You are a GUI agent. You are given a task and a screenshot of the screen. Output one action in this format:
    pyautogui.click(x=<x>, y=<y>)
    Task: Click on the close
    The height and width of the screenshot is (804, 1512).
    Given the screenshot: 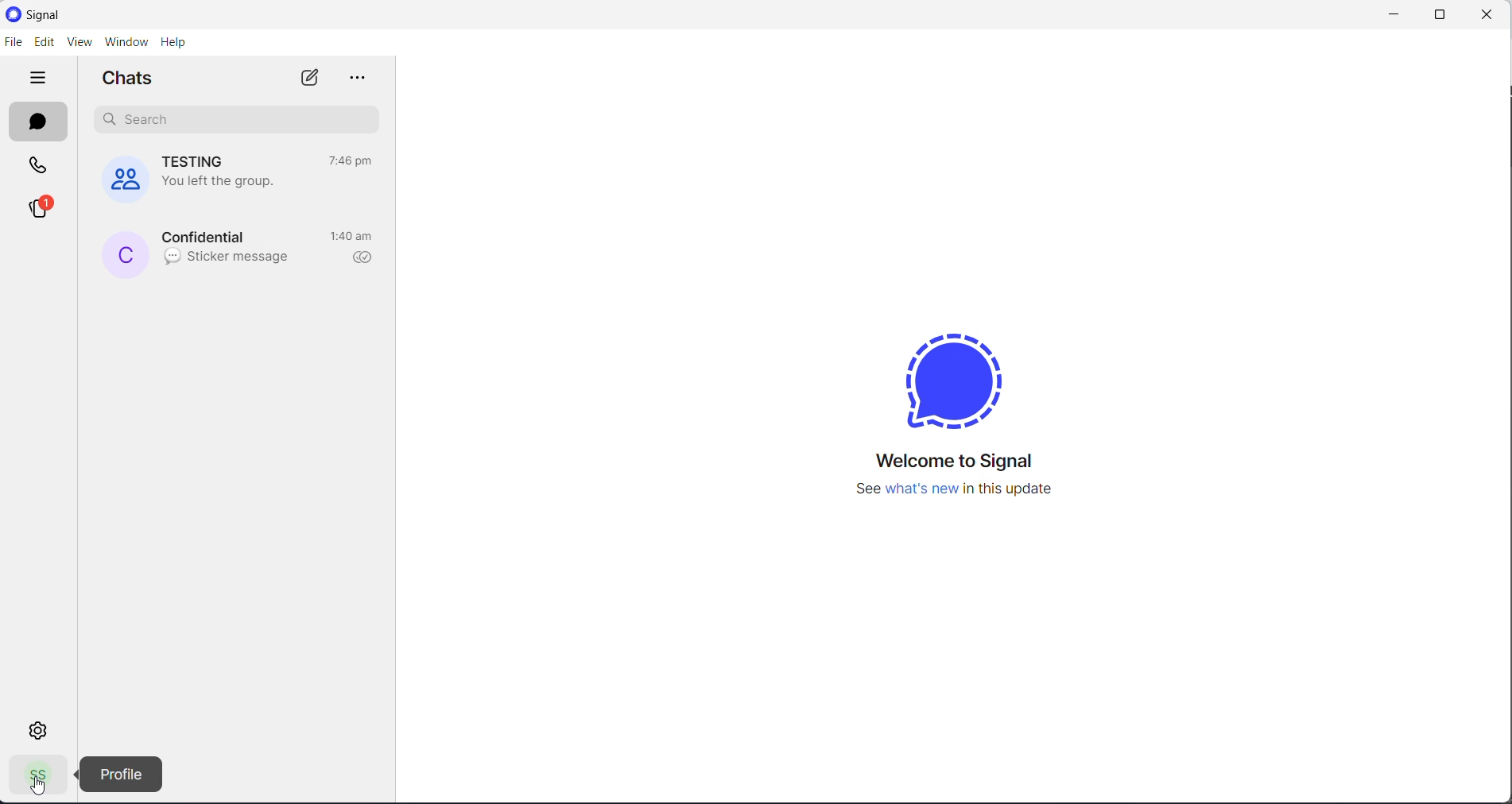 What is the action you would take?
    pyautogui.click(x=1489, y=16)
    